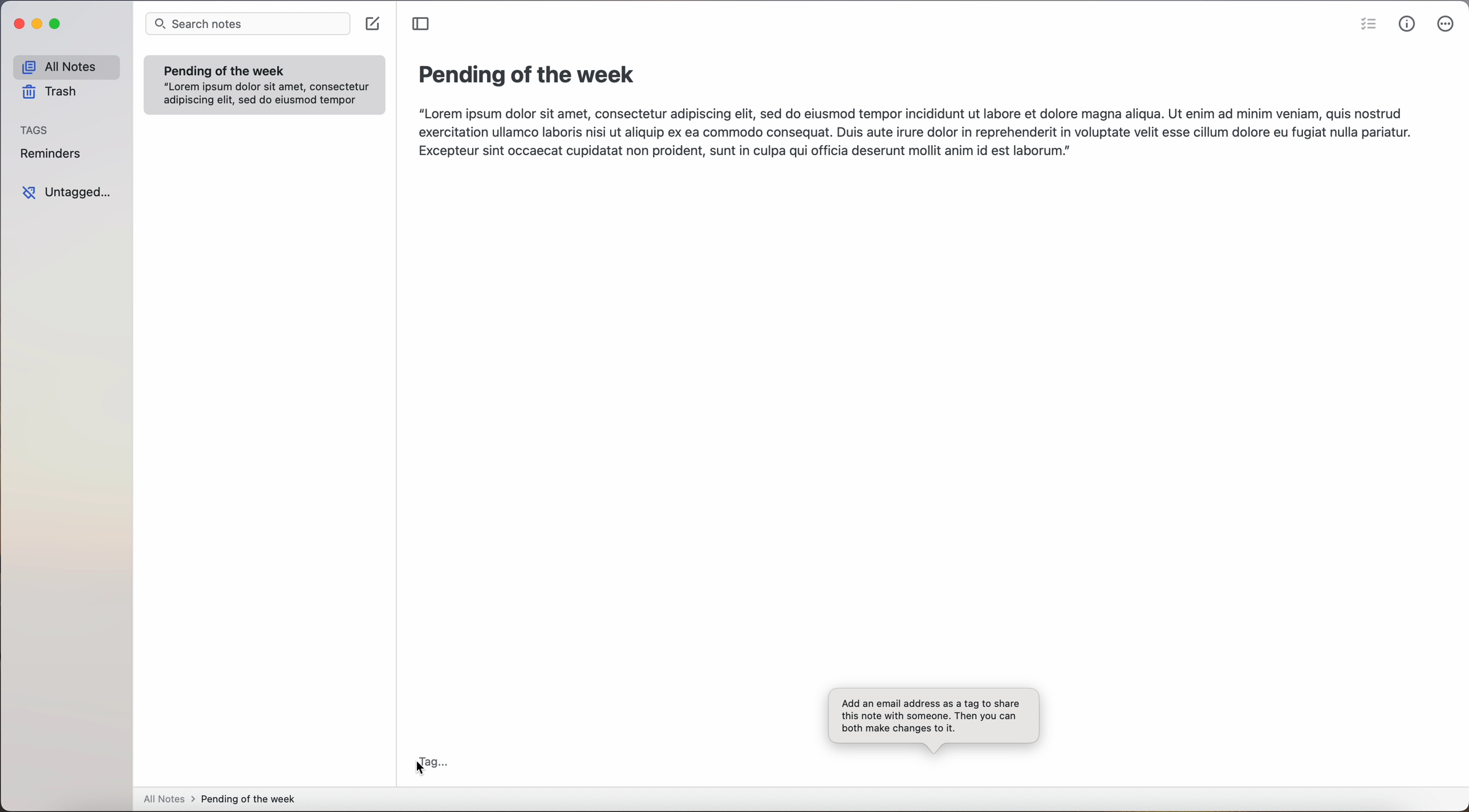  What do you see at coordinates (34, 129) in the screenshot?
I see `tags` at bounding box center [34, 129].